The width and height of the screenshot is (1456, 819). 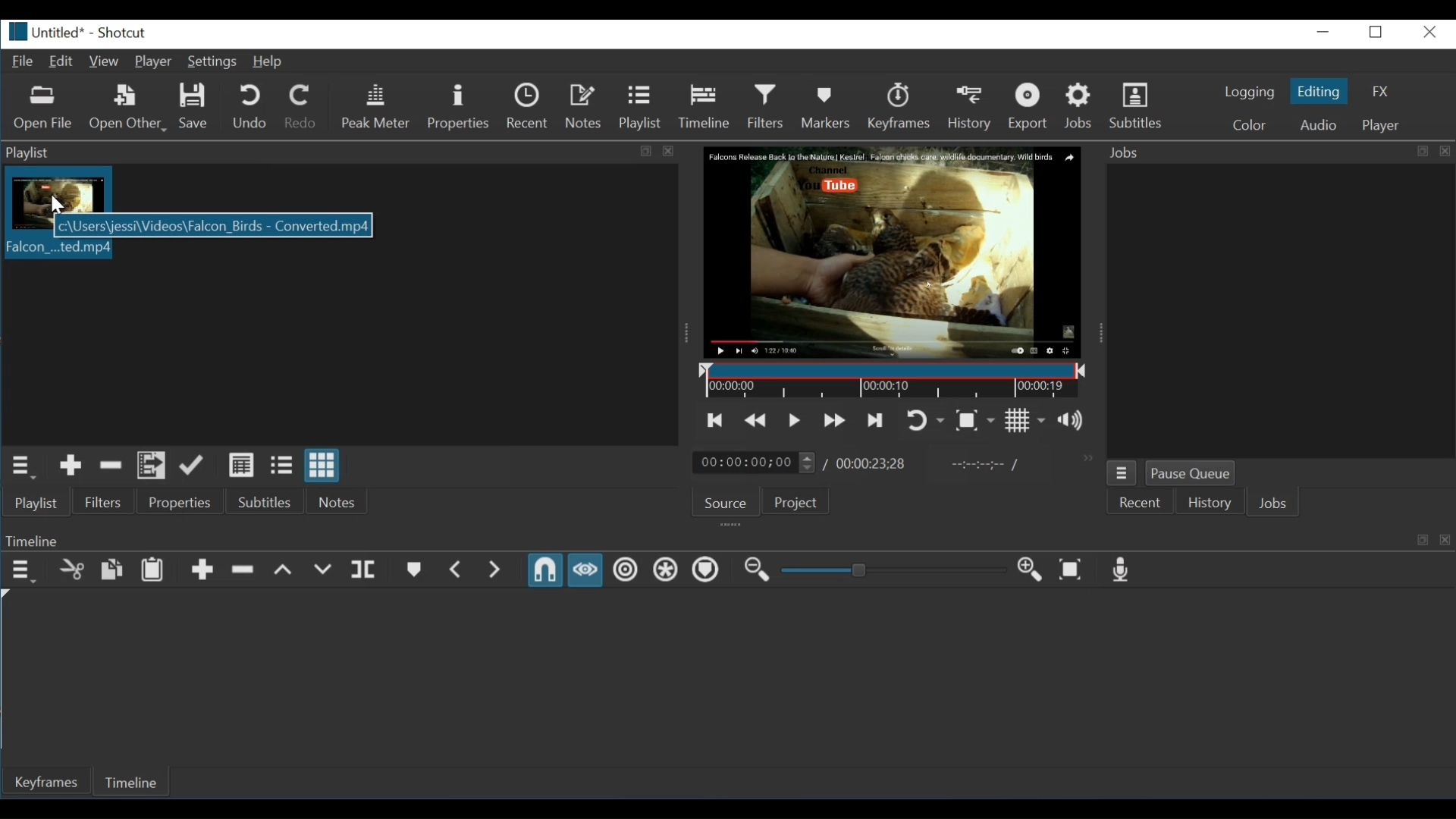 I want to click on File path popup message, so click(x=213, y=227).